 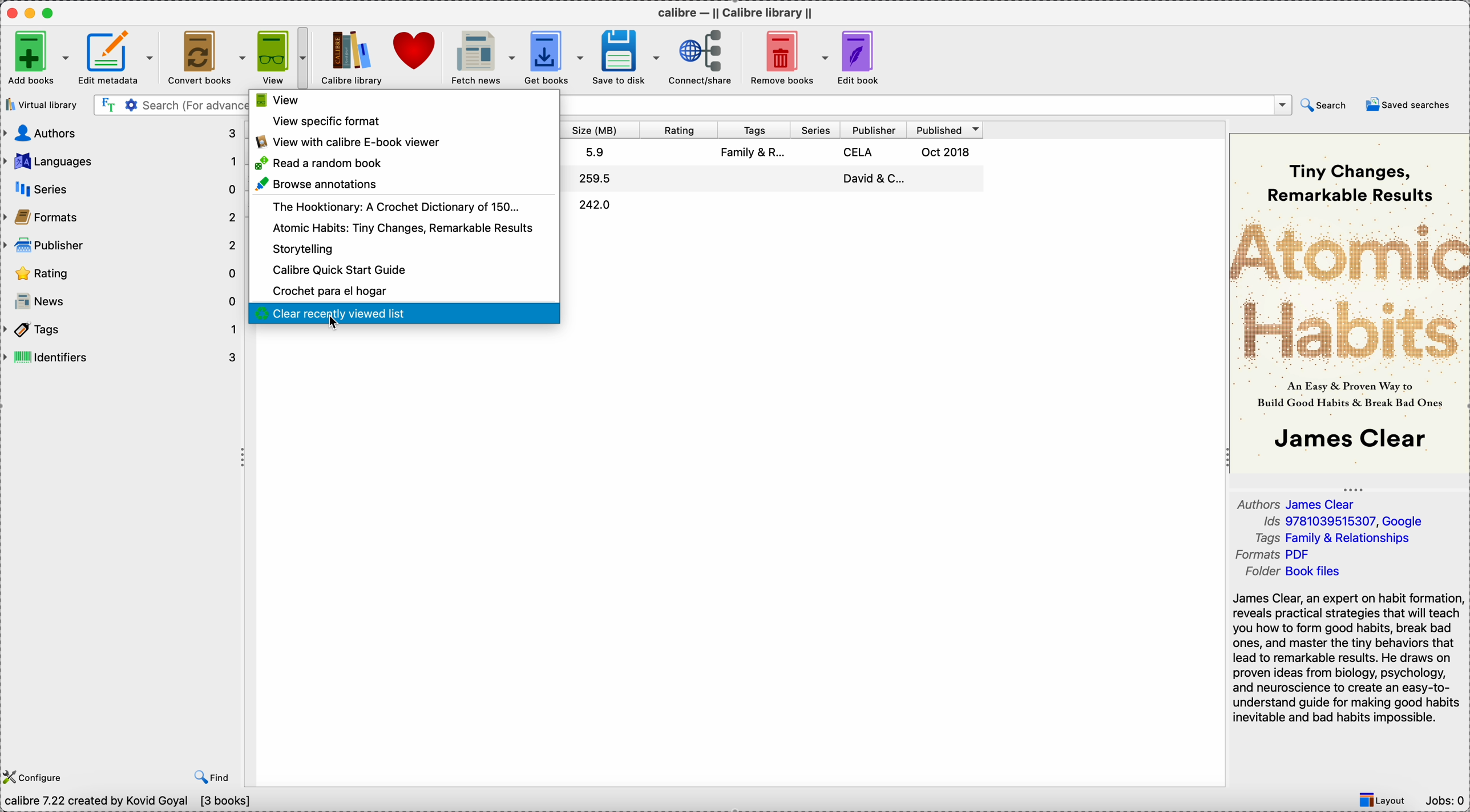 What do you see at coordinates (340, 270) in the screenshot?
I see `Calibre Quick Start Guide` at bounding box center [340, 270].